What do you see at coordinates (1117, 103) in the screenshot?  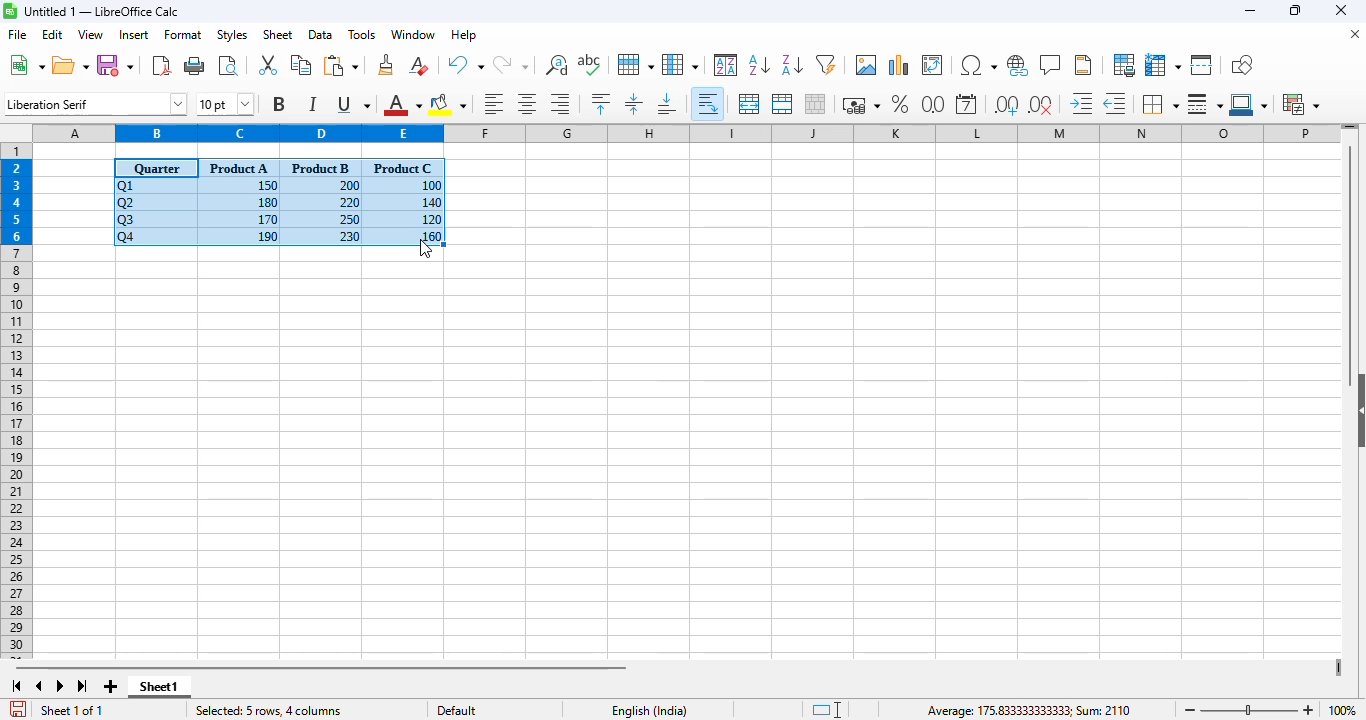 I see `decrease indent` at bounding box center [1117, 103].